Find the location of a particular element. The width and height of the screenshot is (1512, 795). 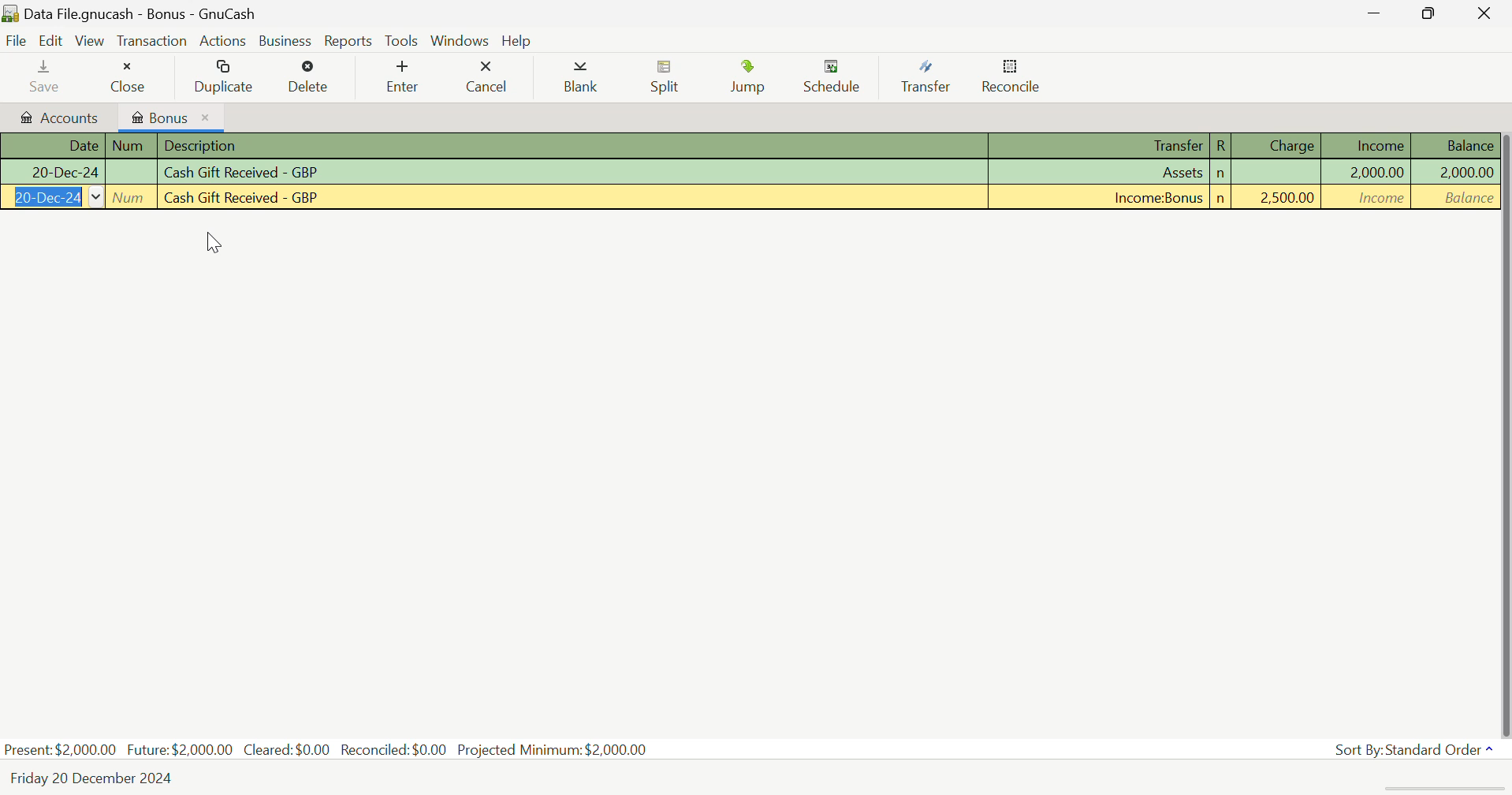

Charge is located at coordinates (1279, 198).